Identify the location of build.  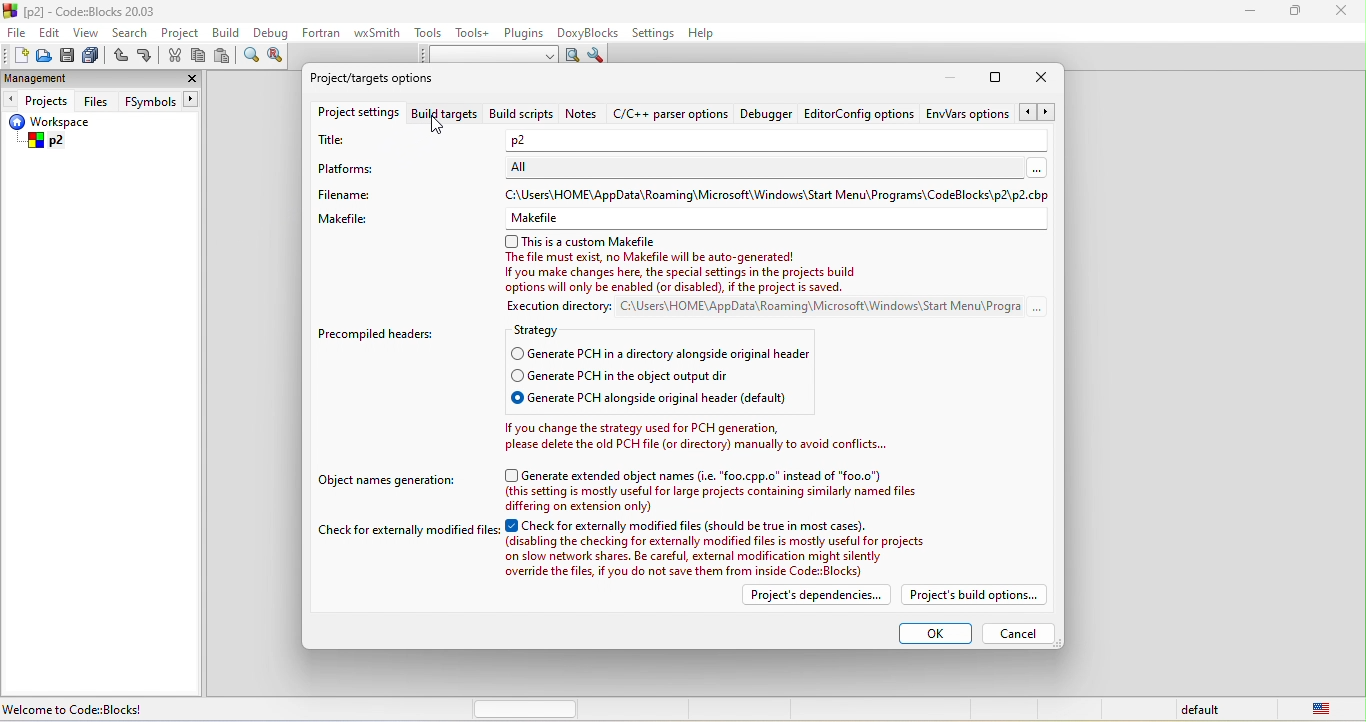
(228, 35).